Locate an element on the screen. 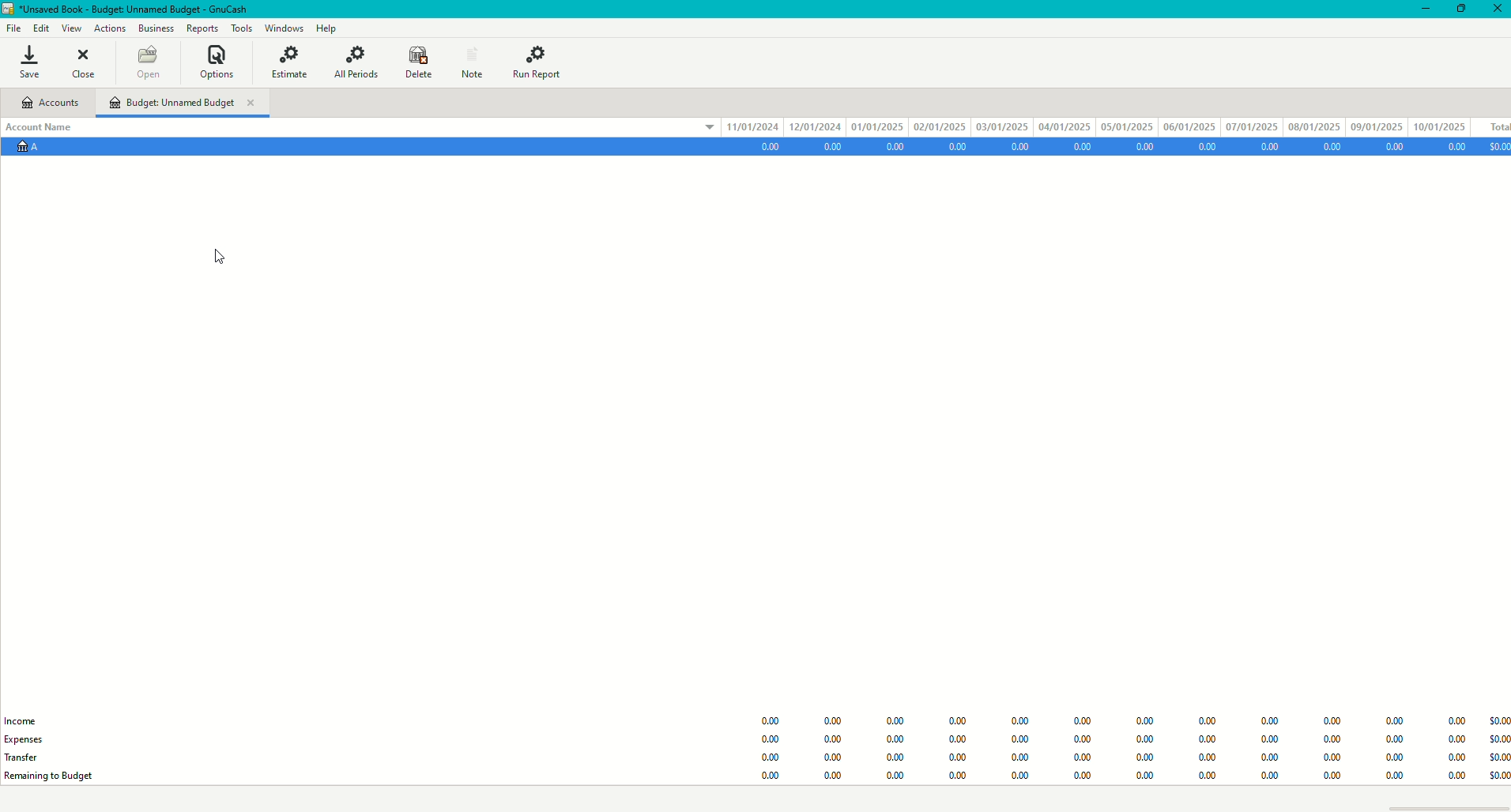 The width and height of the screenshot is (1511, 812). View is located at coordinates (69, 26).